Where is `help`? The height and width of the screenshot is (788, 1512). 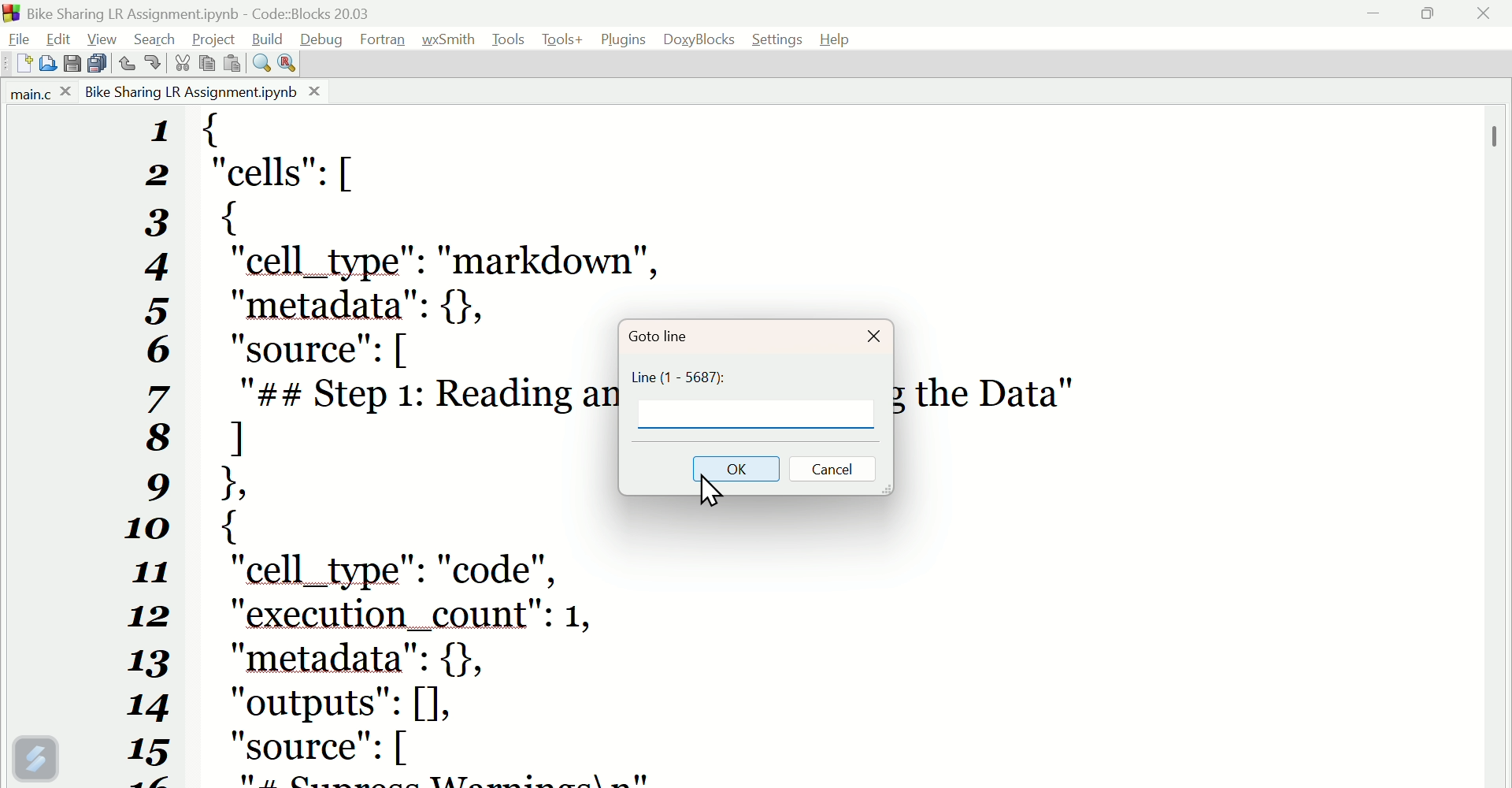 help is located at coordinates (841, 38).